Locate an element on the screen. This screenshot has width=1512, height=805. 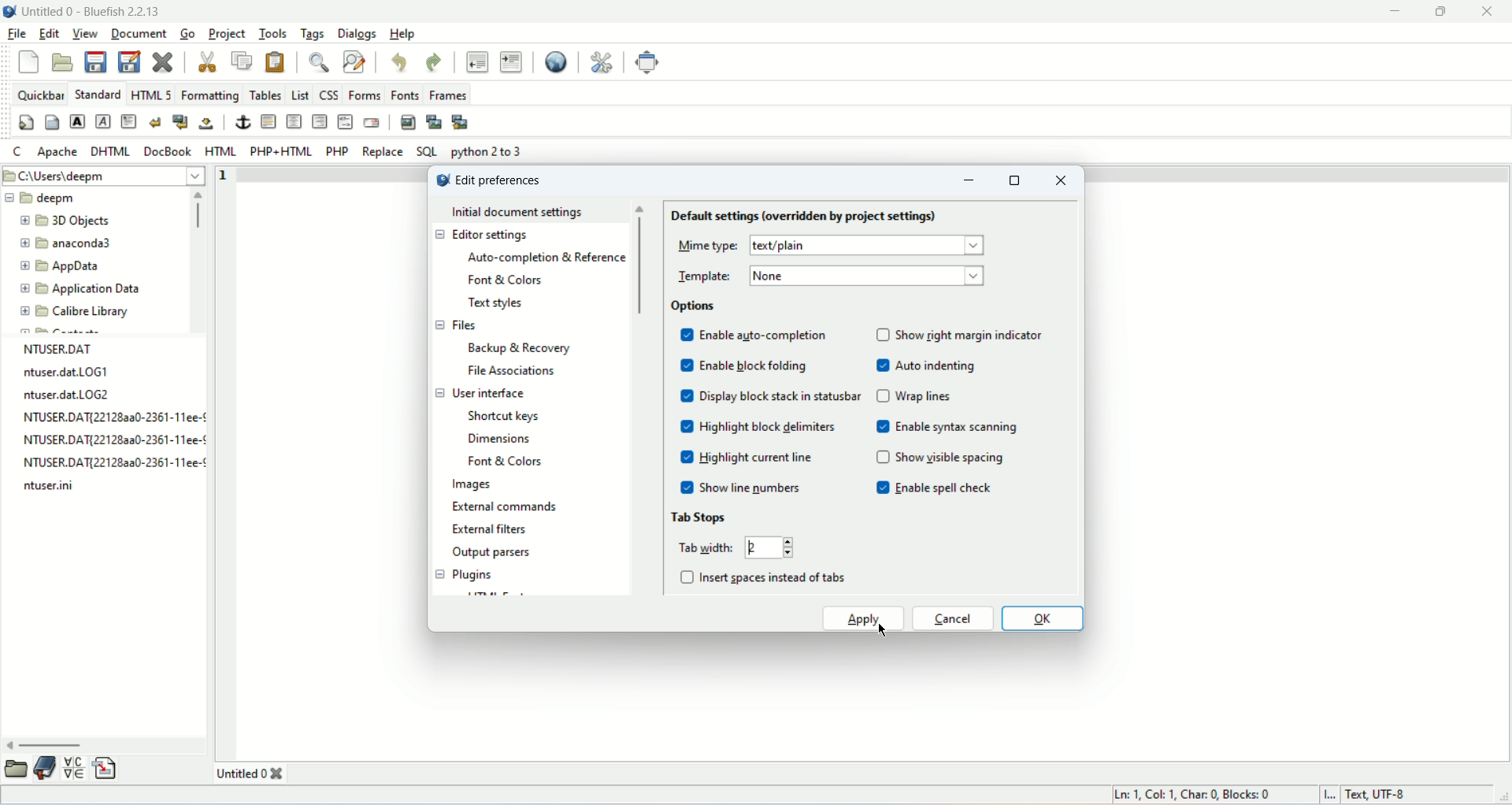
NTUSER.DAT is located at coordinates (57, 348).